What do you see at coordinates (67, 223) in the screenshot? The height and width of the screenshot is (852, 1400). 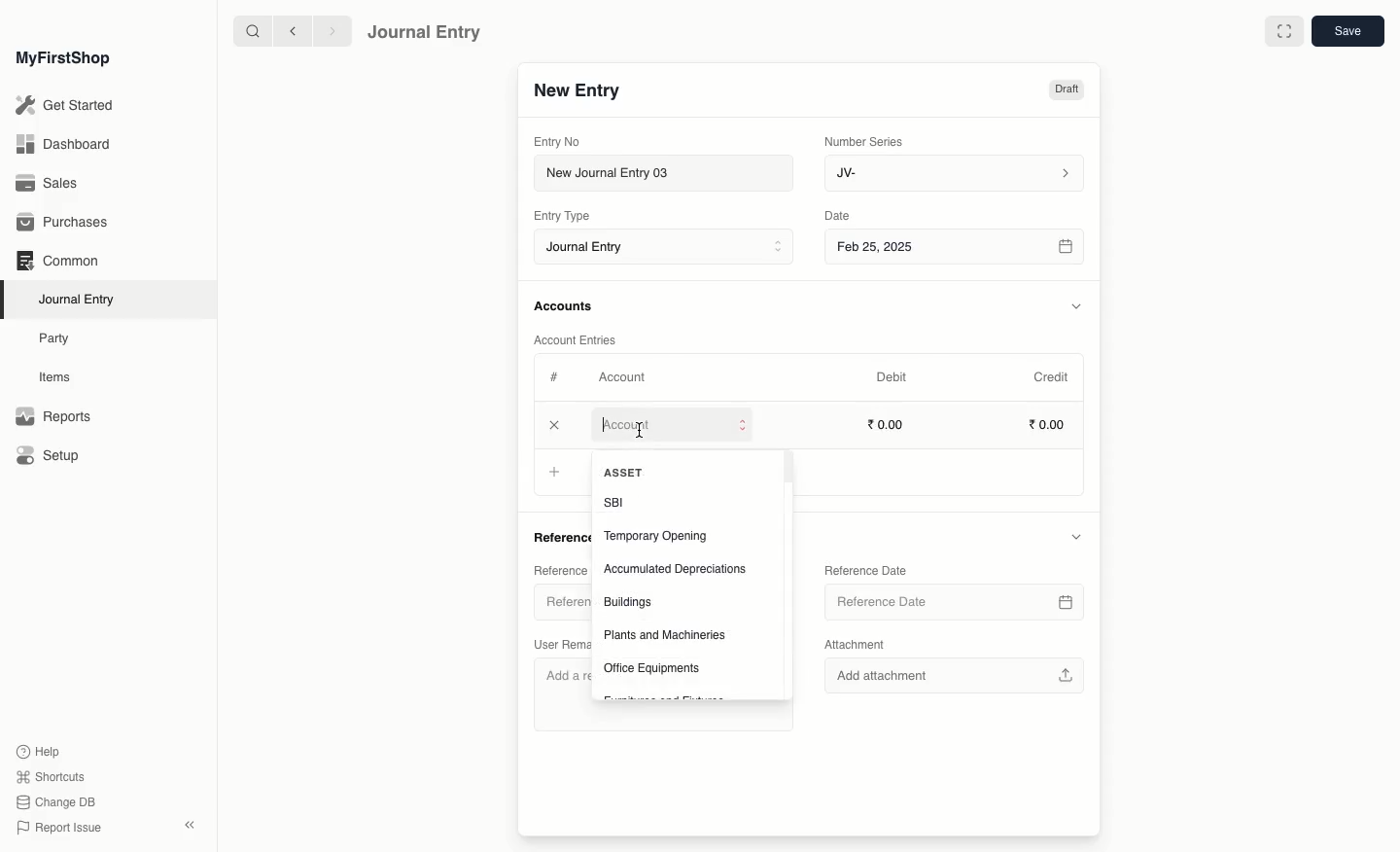 I see `Purchases` at bounding box center [67, 223].